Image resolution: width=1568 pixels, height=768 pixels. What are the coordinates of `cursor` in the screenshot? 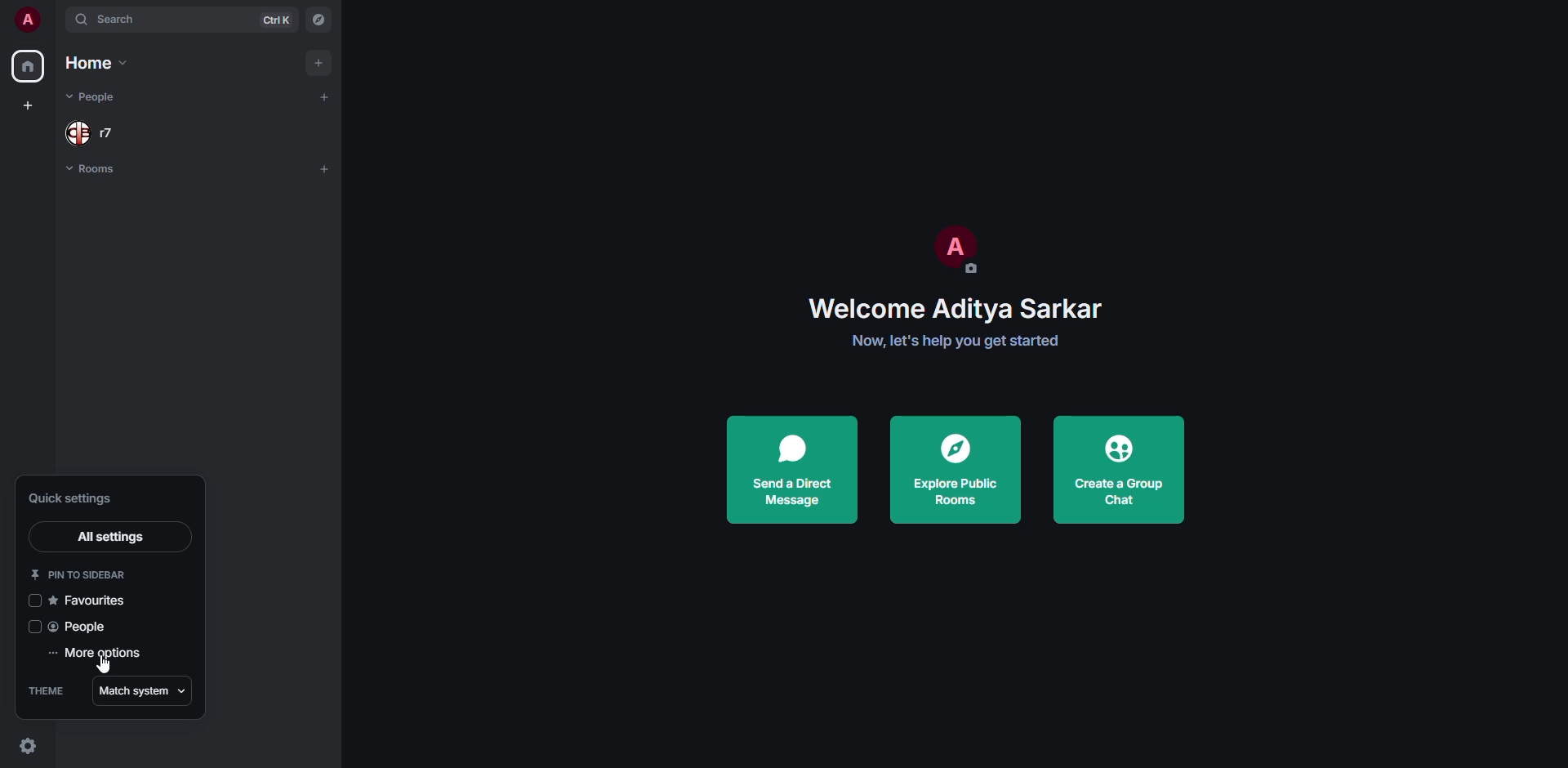 It's located at (108, 668).